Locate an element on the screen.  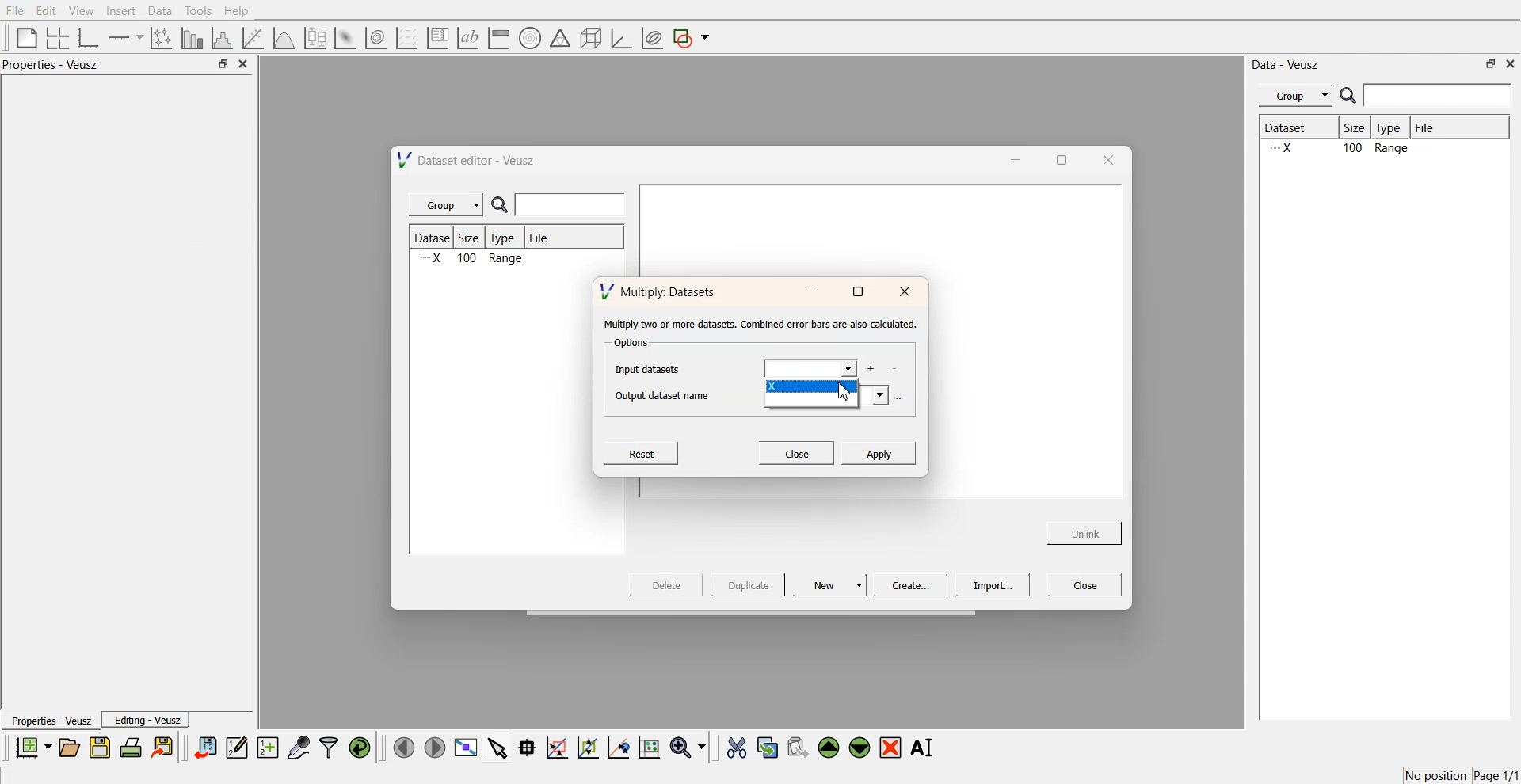
enter search field is located at coordinates (1439, 96).